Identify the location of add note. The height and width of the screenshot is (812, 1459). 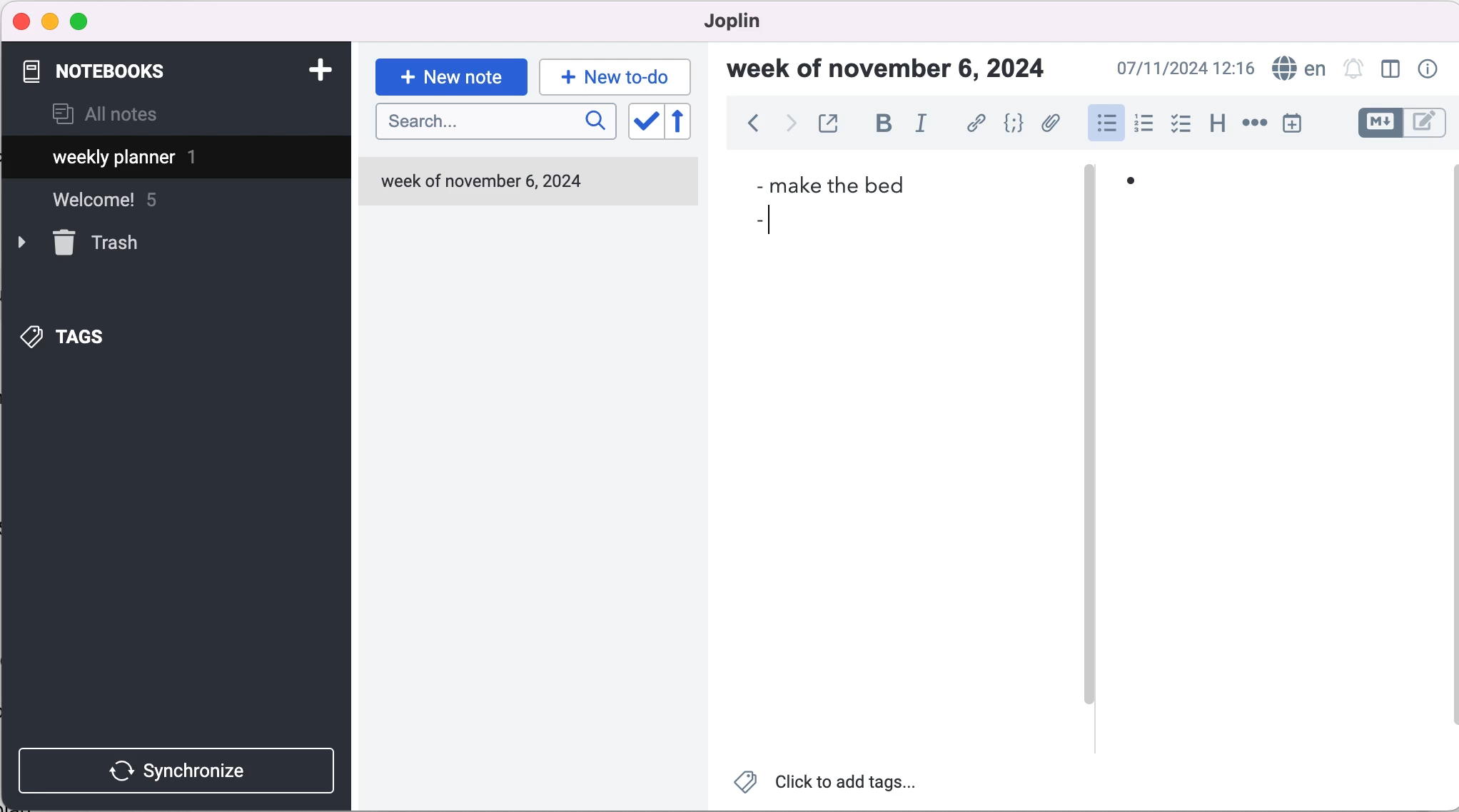
(319, 68).